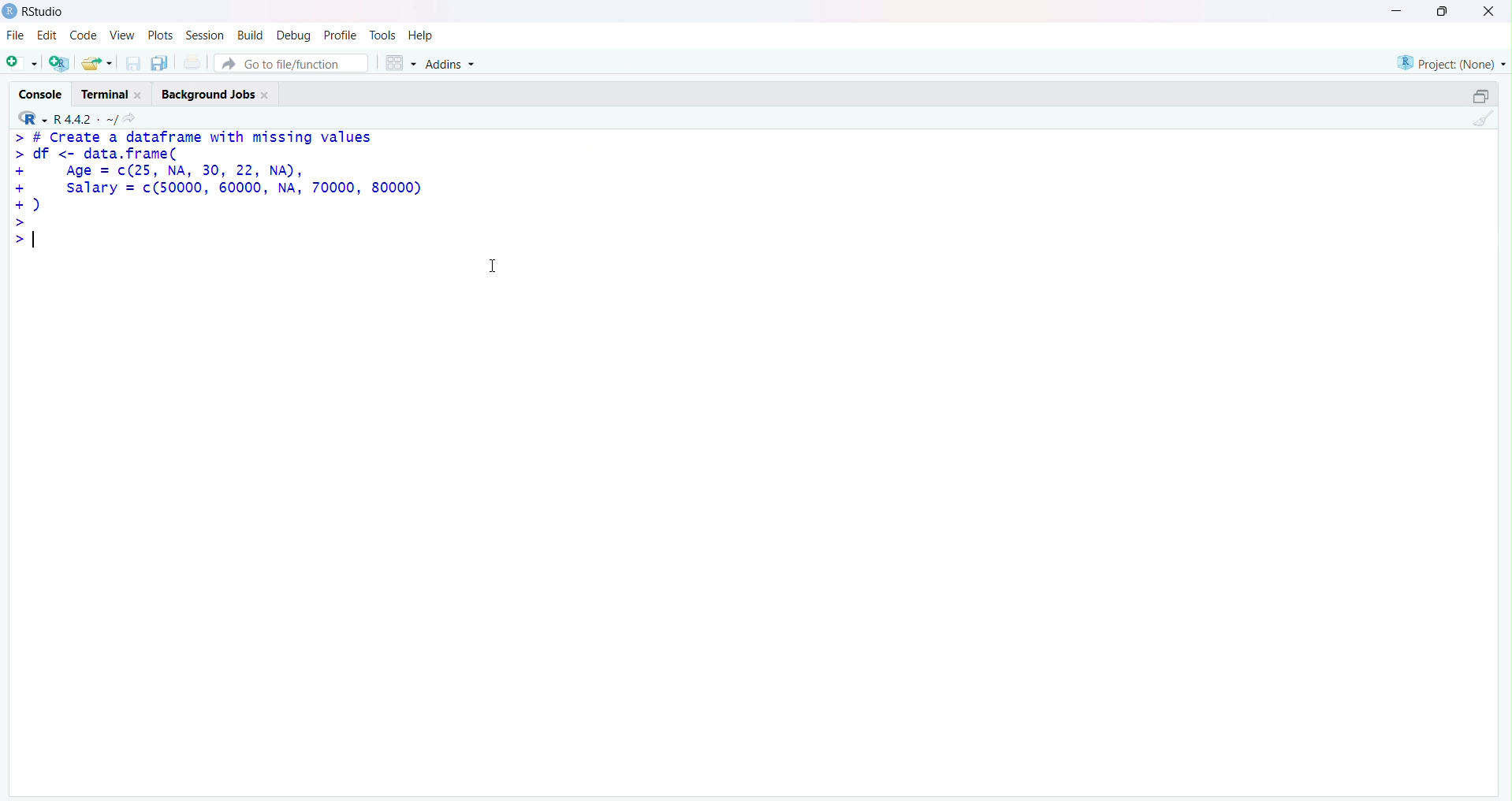  Describe the element at coordinates (14, 35) in the screenshot. I see `File` at that location.